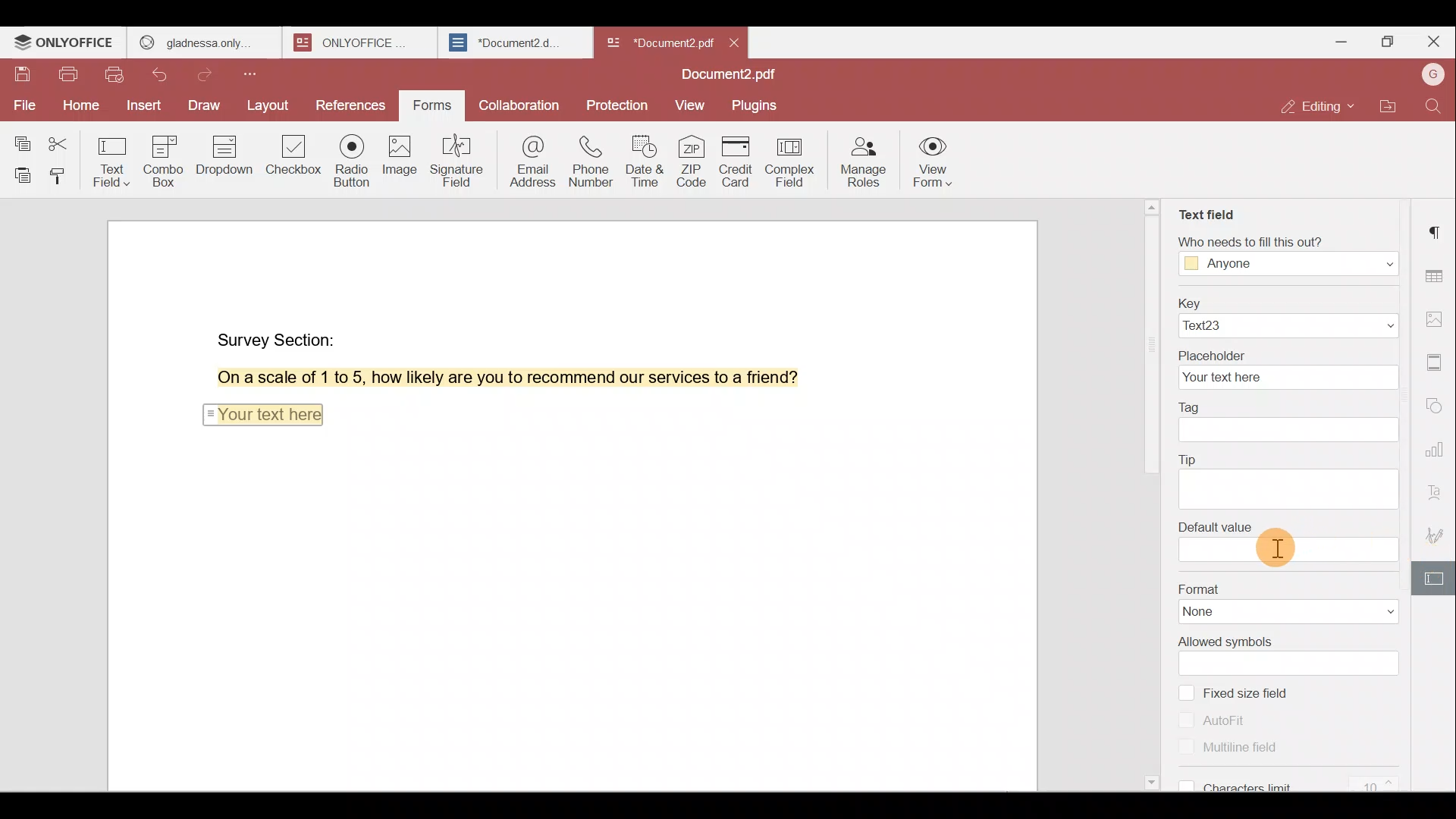 Image resolution: width=1456 pixels, height=819 pixels. I want to click on Find, so click(1436, 106).